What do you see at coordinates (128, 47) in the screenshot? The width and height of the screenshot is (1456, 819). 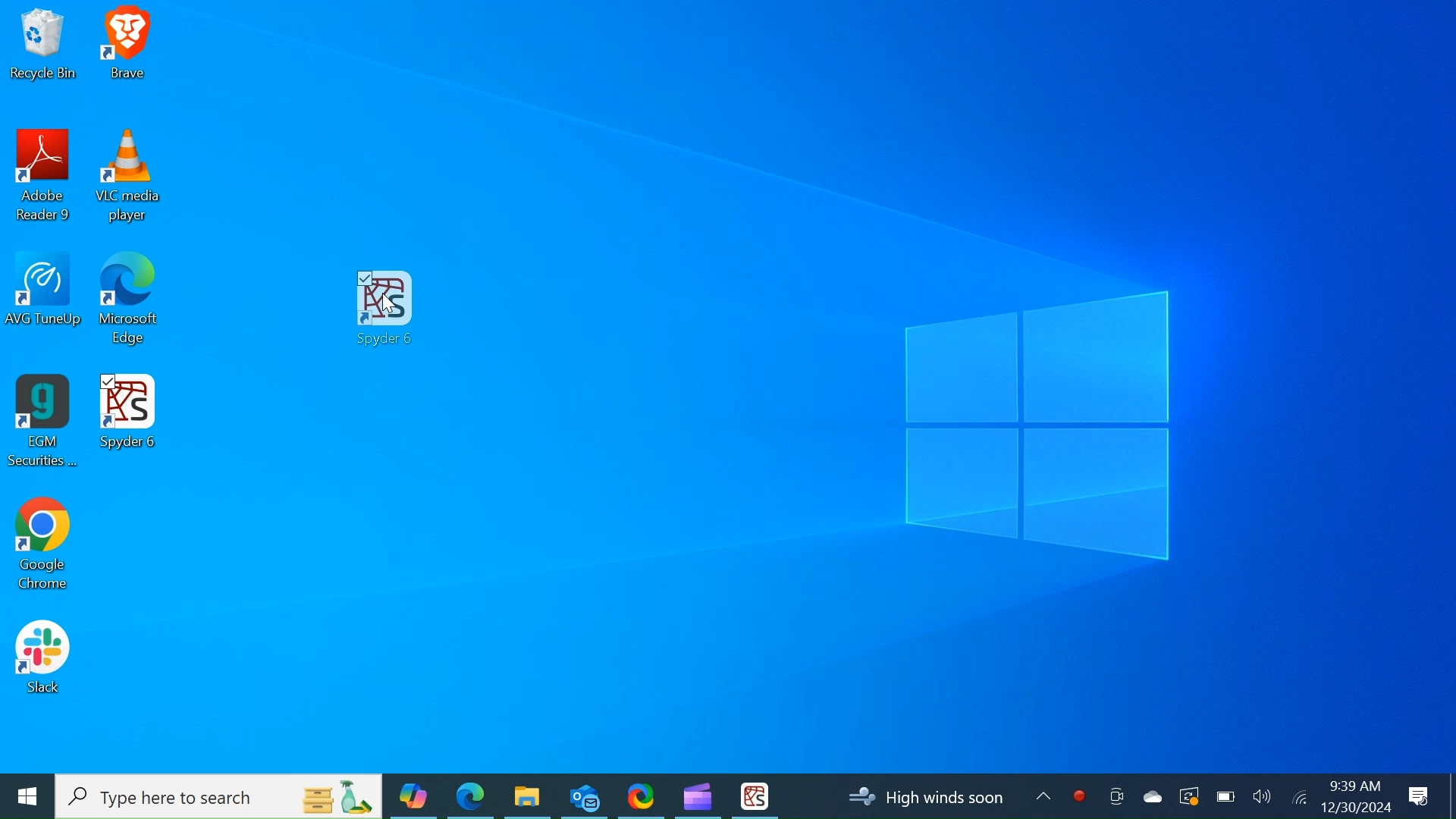 I see `Brave Desktop Icon` at bounding box center [128, 47].